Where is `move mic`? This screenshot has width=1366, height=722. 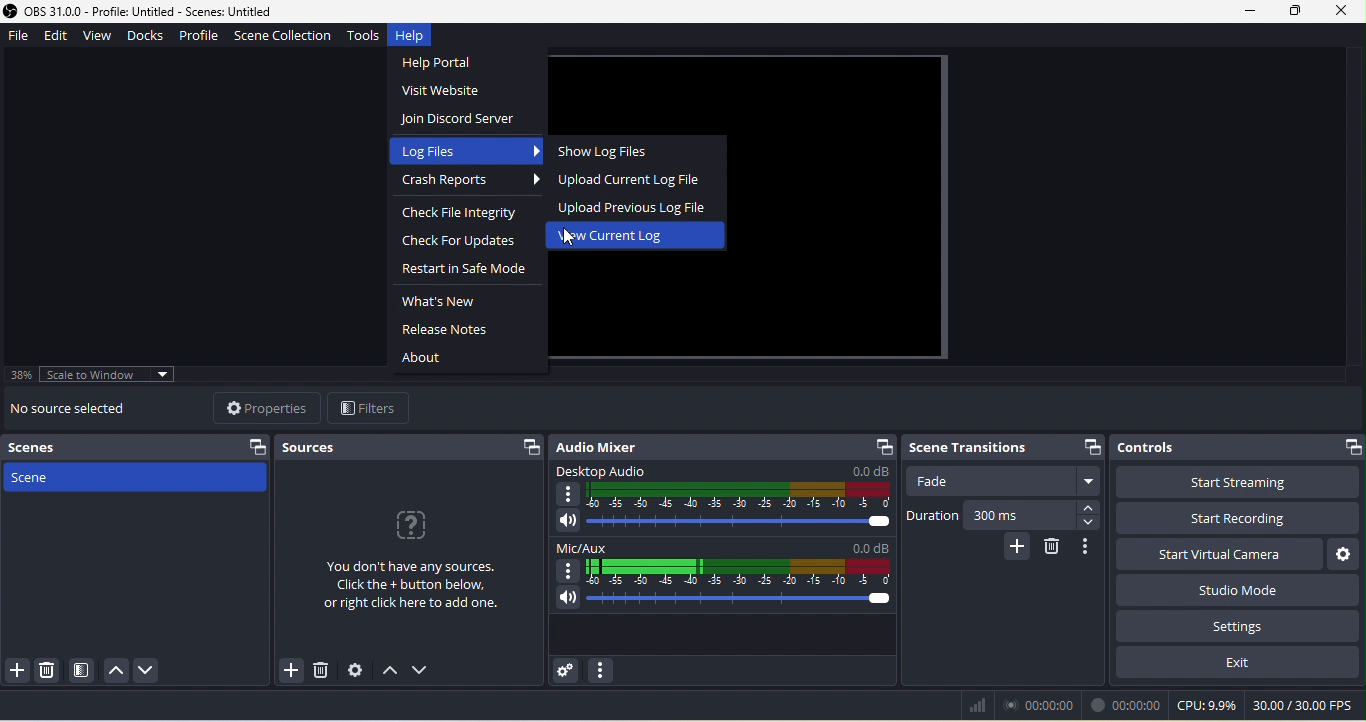 move mic is located at coordinates (724, 562).